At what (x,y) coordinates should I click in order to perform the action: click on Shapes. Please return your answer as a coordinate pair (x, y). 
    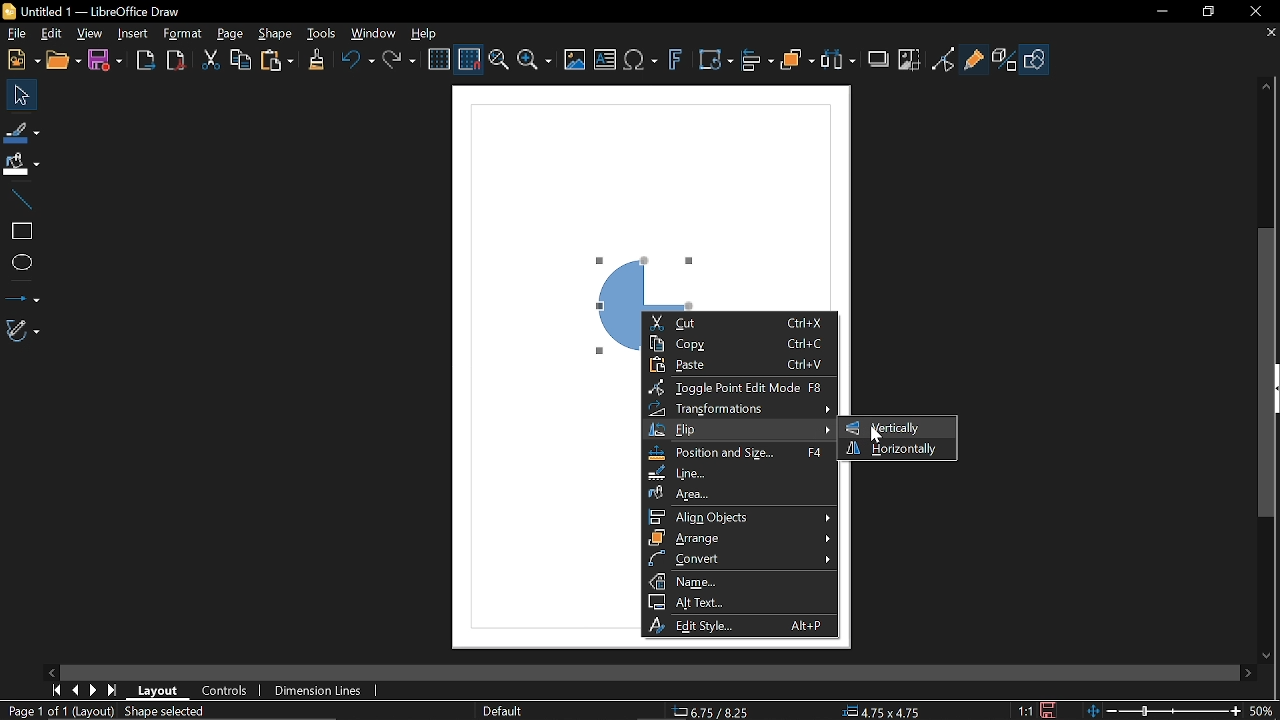
    Looking at the image, I should click on (1036, 60).